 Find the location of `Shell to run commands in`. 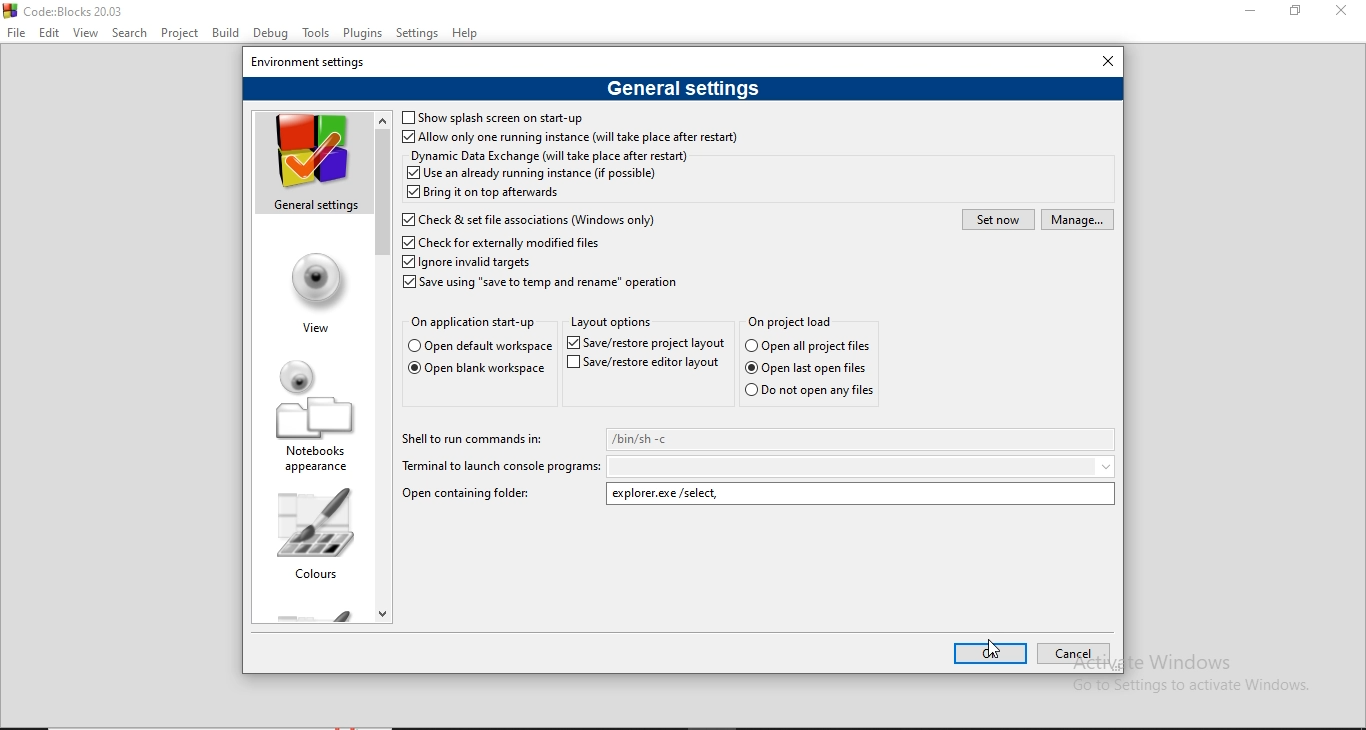

Shell to run commands in is located at coordinates (474, 442).